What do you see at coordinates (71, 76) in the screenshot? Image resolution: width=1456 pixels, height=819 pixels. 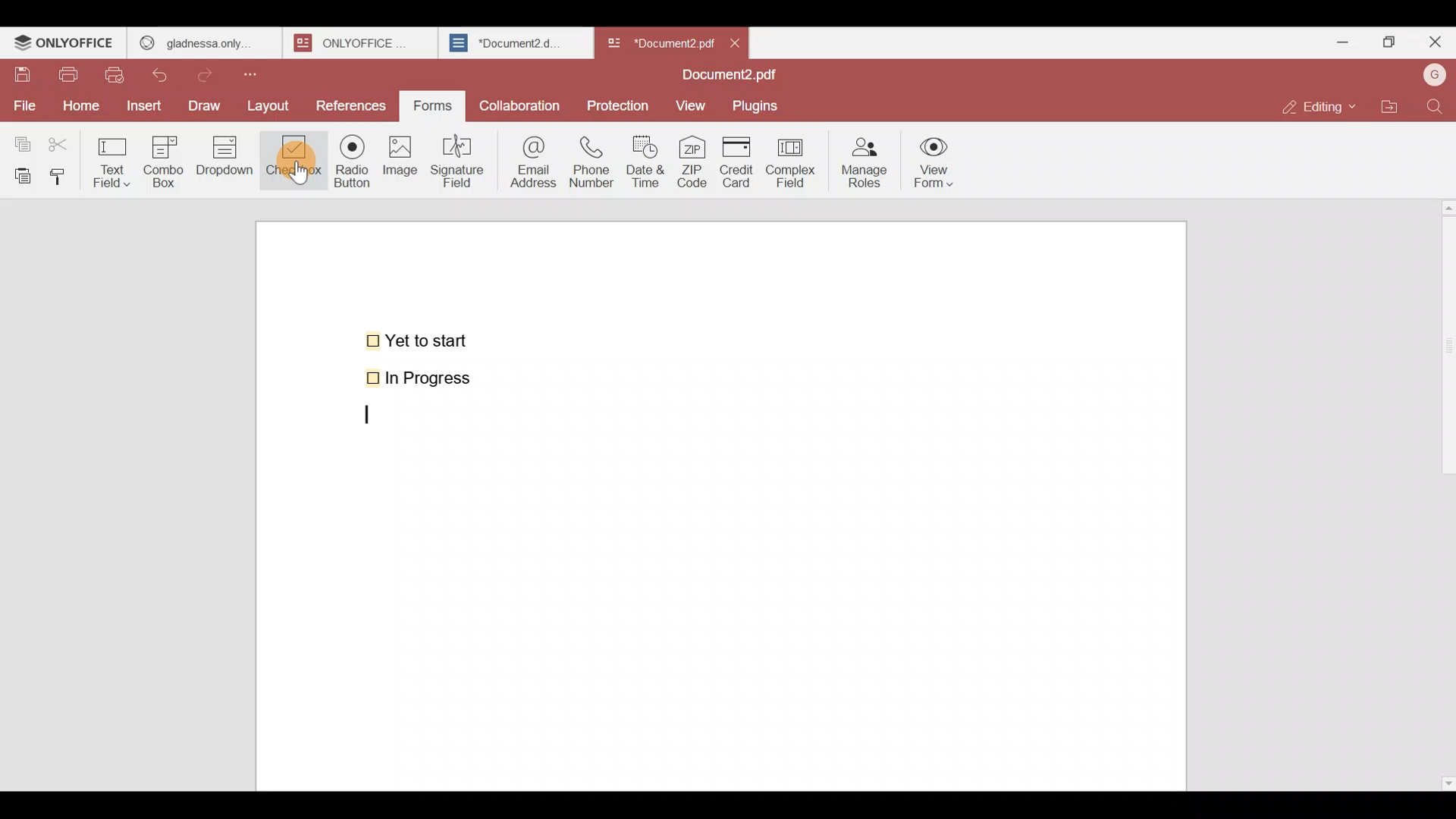 I see `Print file` at bounding box center [71, 76].